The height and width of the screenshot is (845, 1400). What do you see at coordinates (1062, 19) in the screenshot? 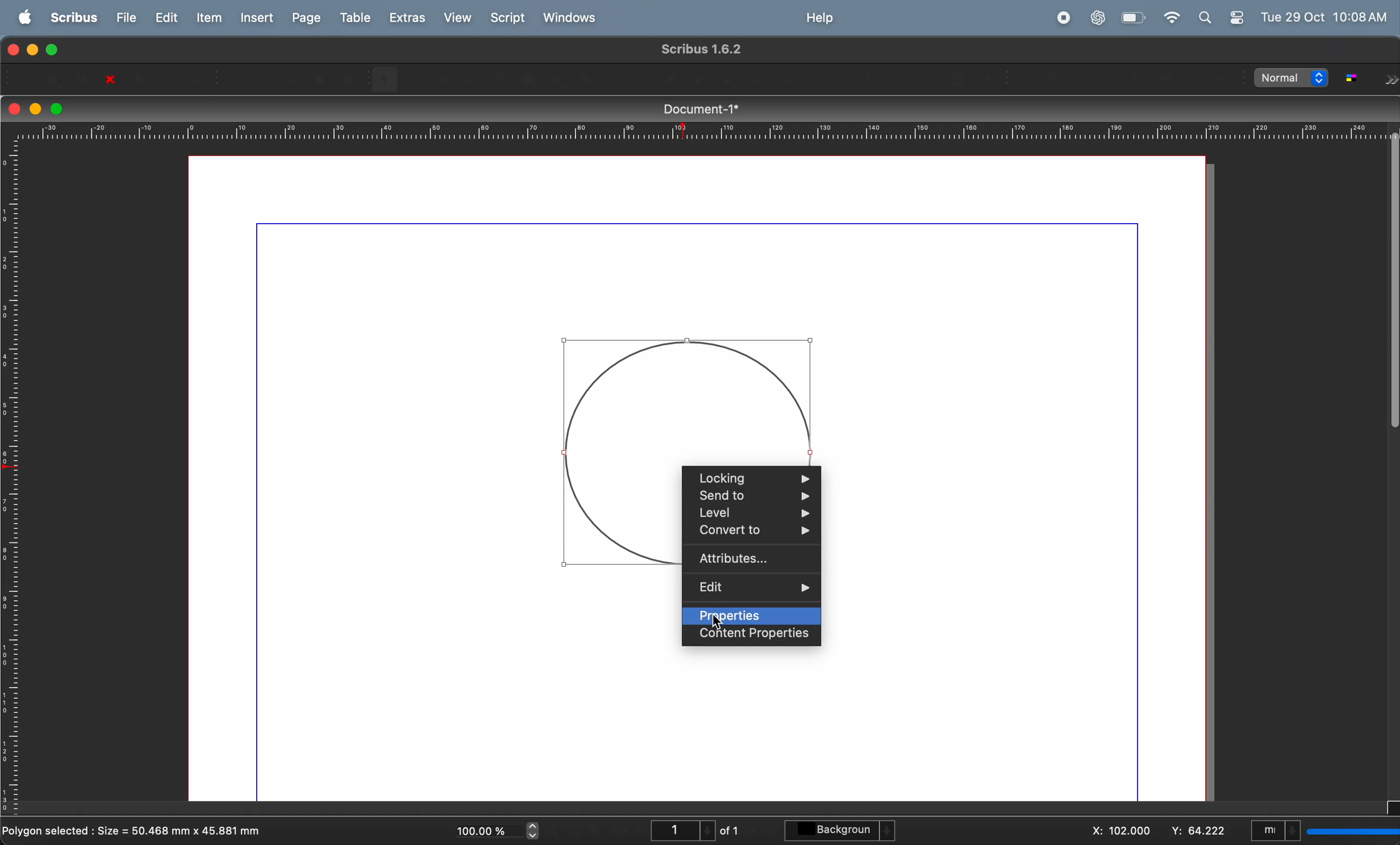
I see `record` at bounding box center [1062, 19].